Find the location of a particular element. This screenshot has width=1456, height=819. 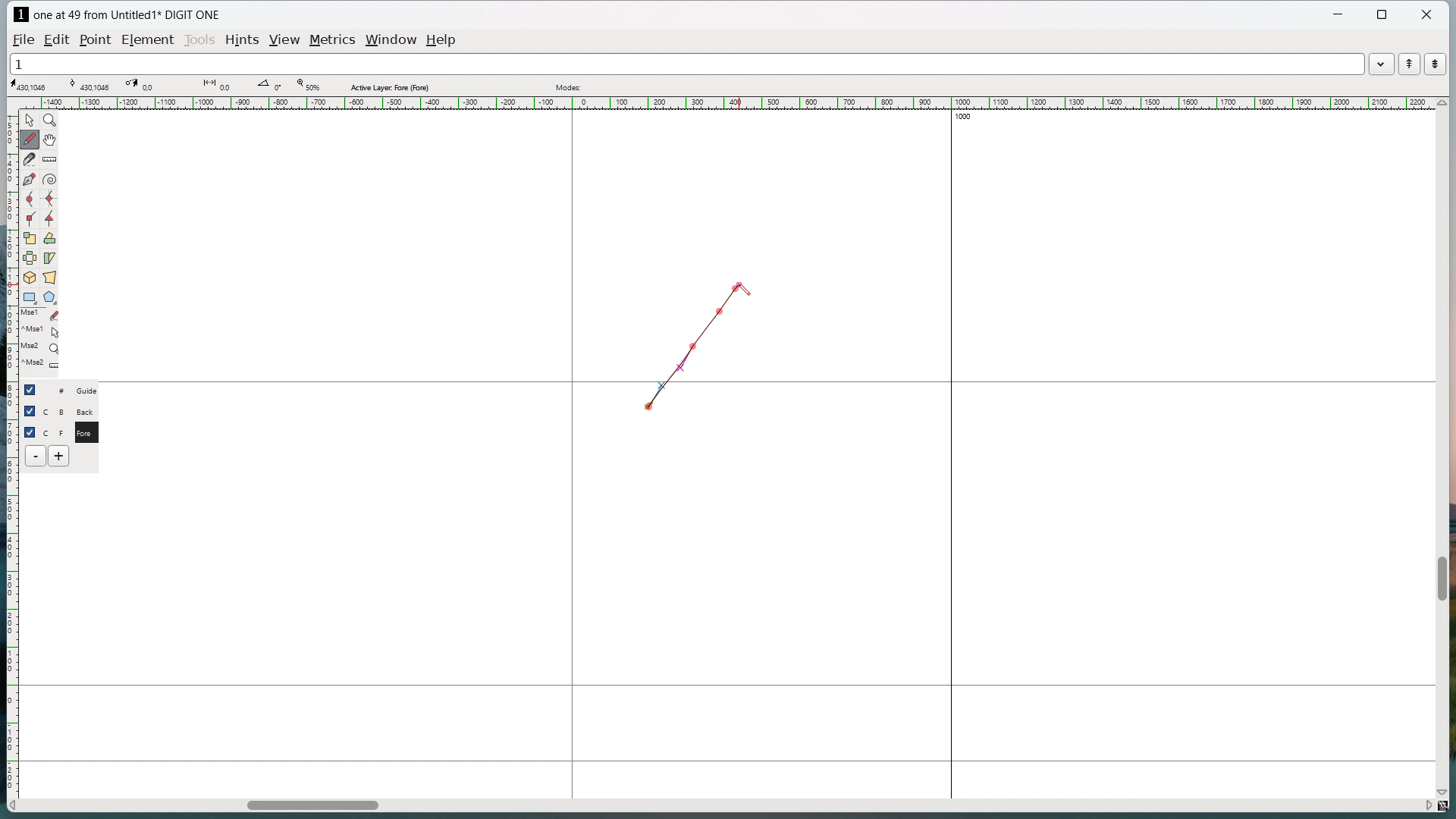

C F Fore is located at coordinates (72, 431).